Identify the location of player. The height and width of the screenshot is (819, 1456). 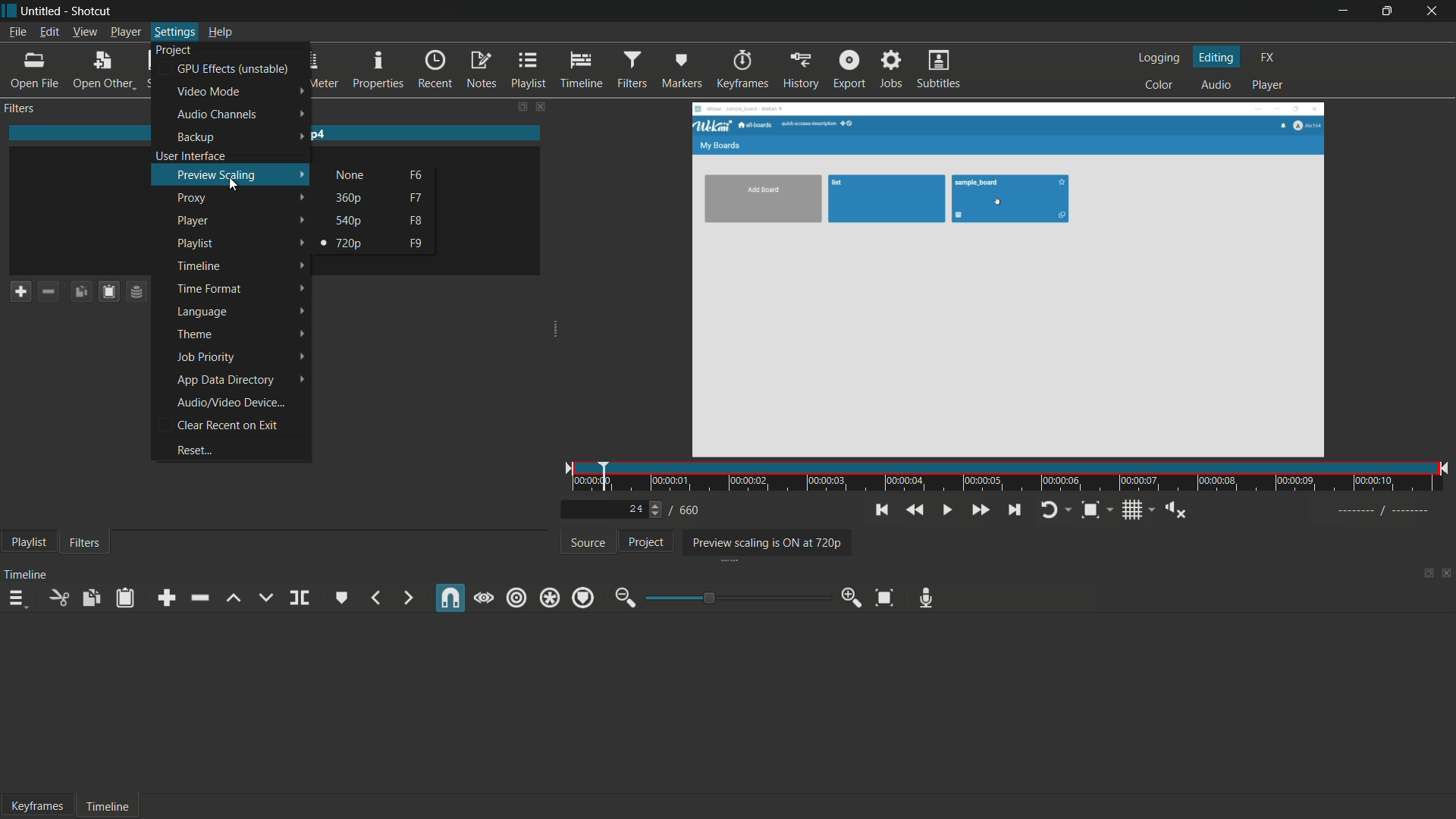
(194, 221).